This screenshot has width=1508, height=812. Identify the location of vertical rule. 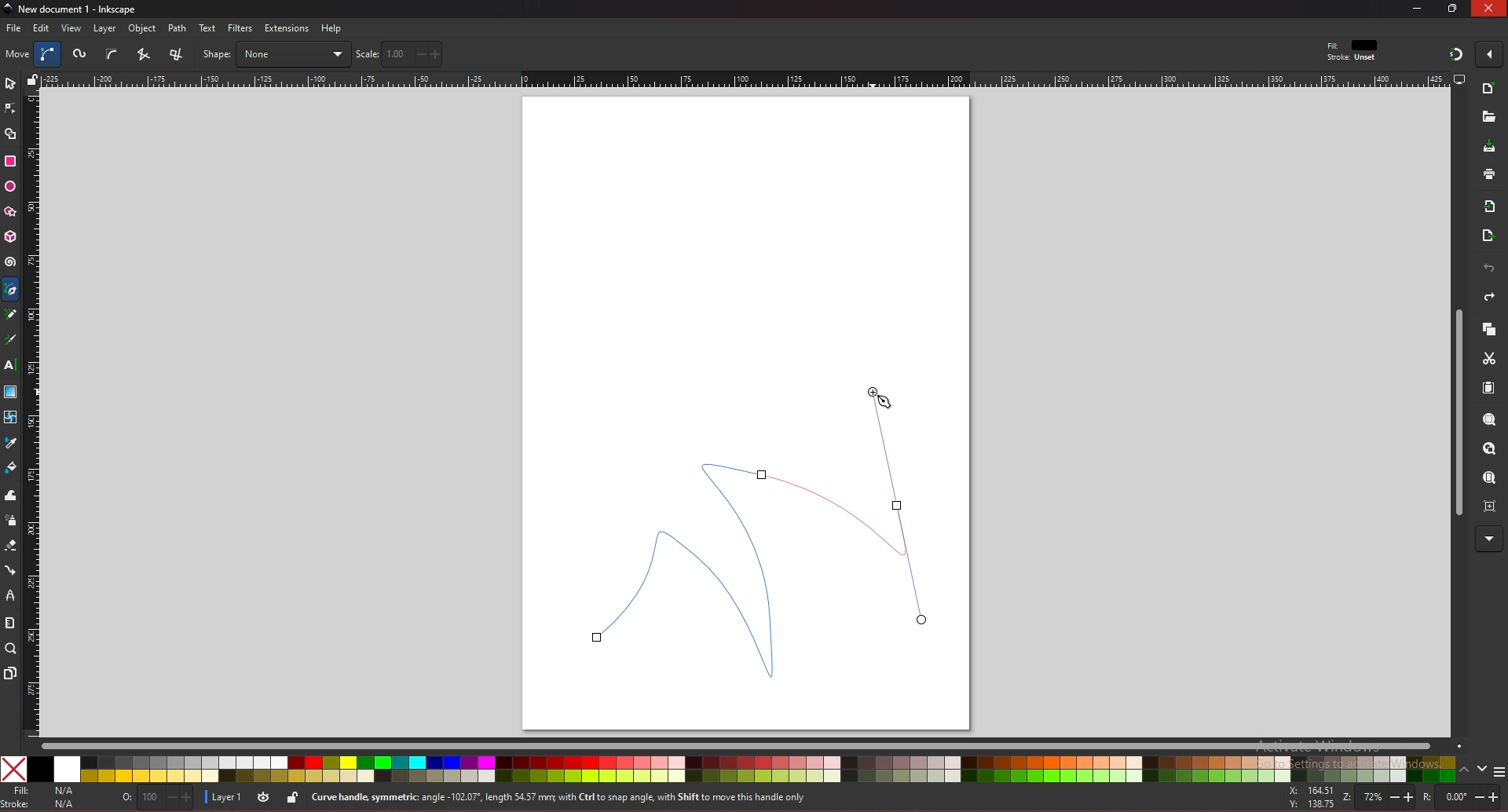
(31, 415).